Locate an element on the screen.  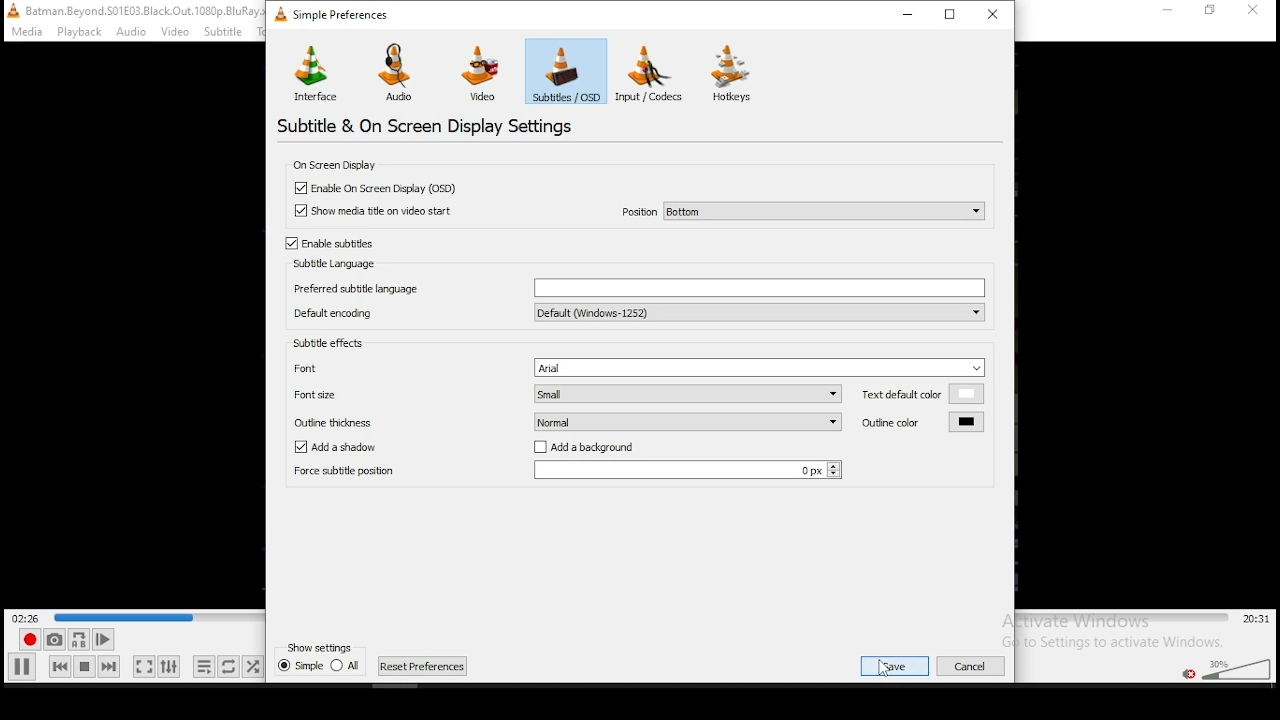
checkbox: enable subtitles is located at coordinates (329, 243).